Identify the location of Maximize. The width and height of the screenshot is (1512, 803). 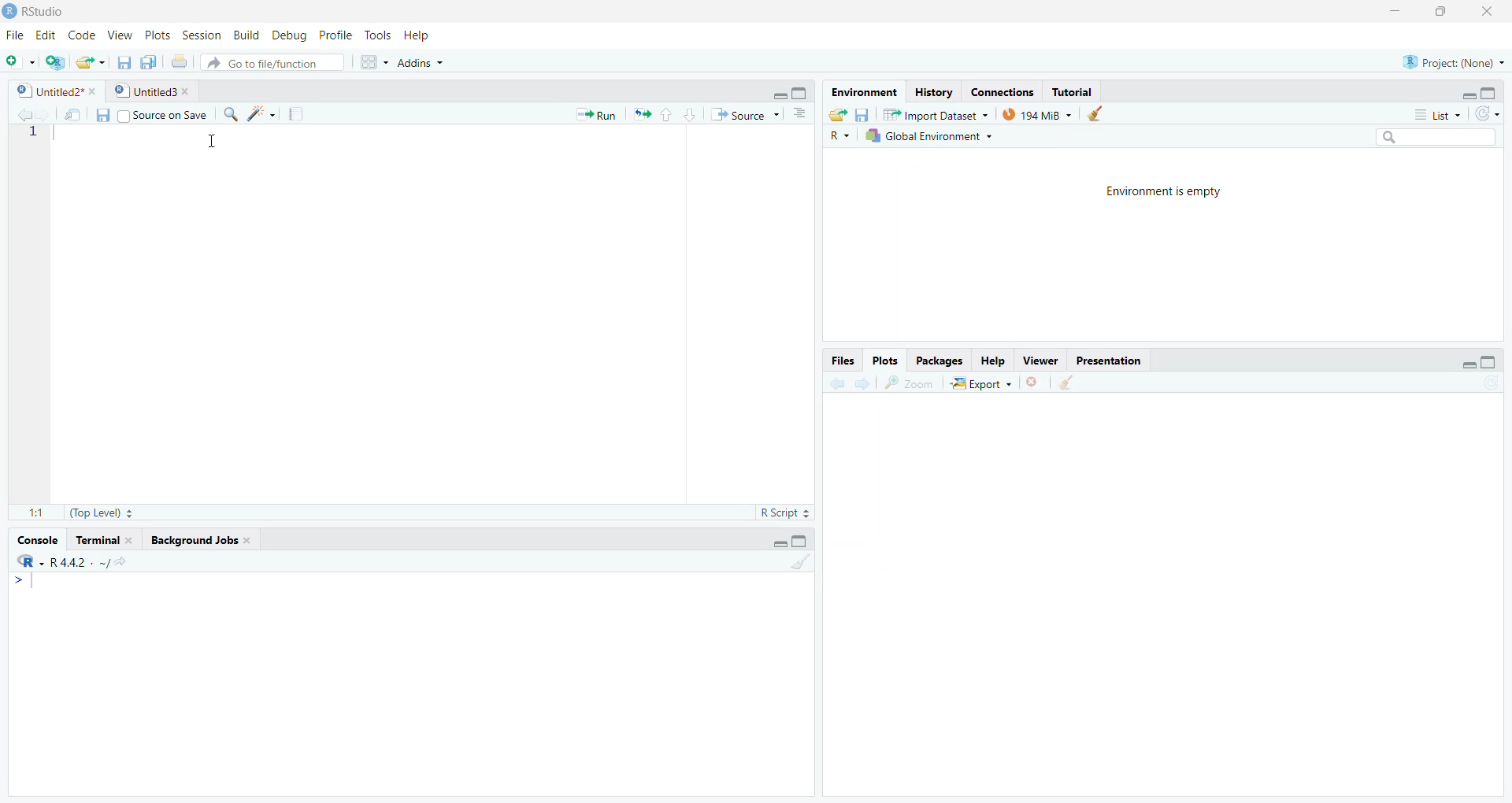
(802, 540).